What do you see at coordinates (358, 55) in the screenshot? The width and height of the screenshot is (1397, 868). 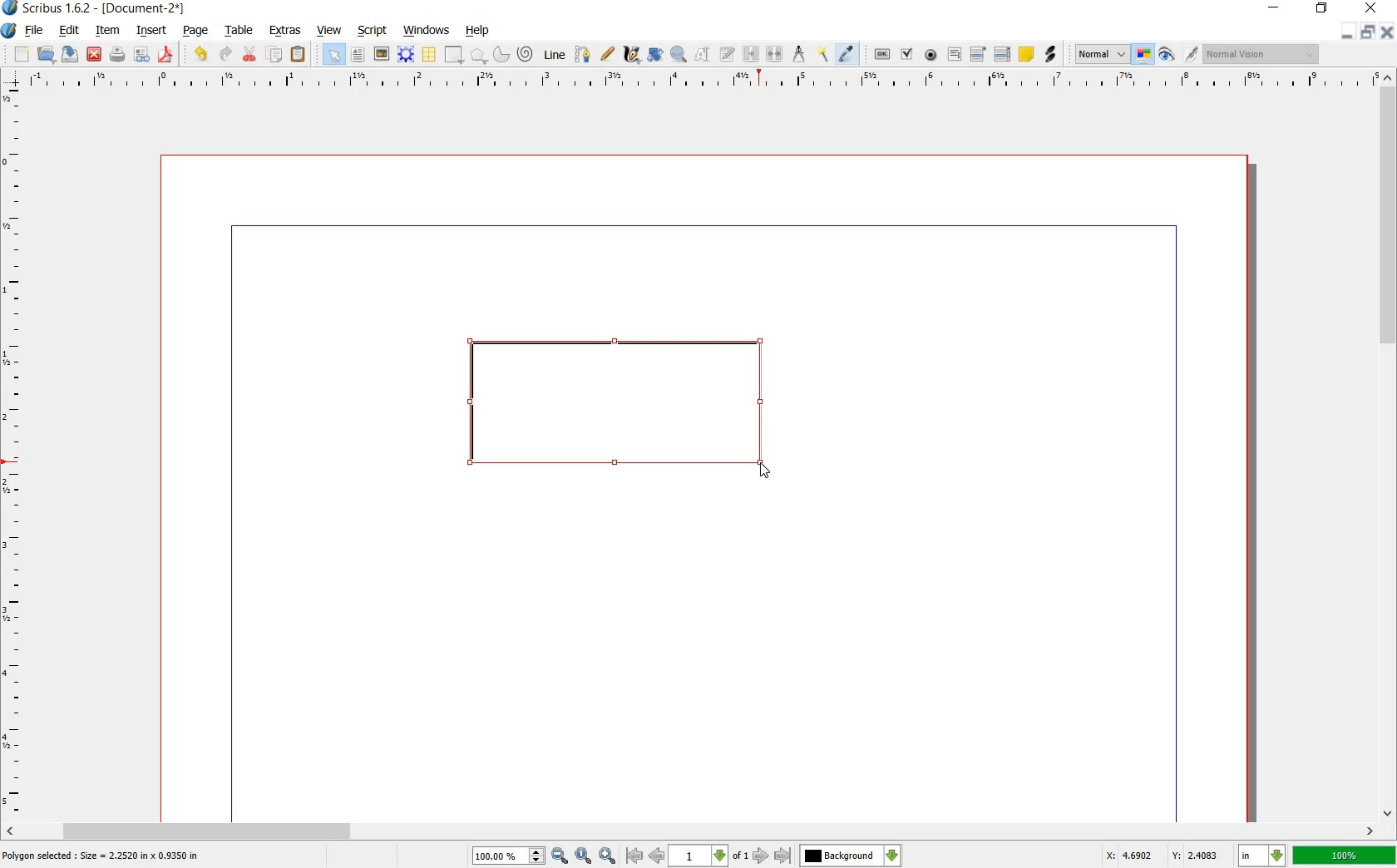 I see `TEXT FRAME` at bounding box center [358, 55].